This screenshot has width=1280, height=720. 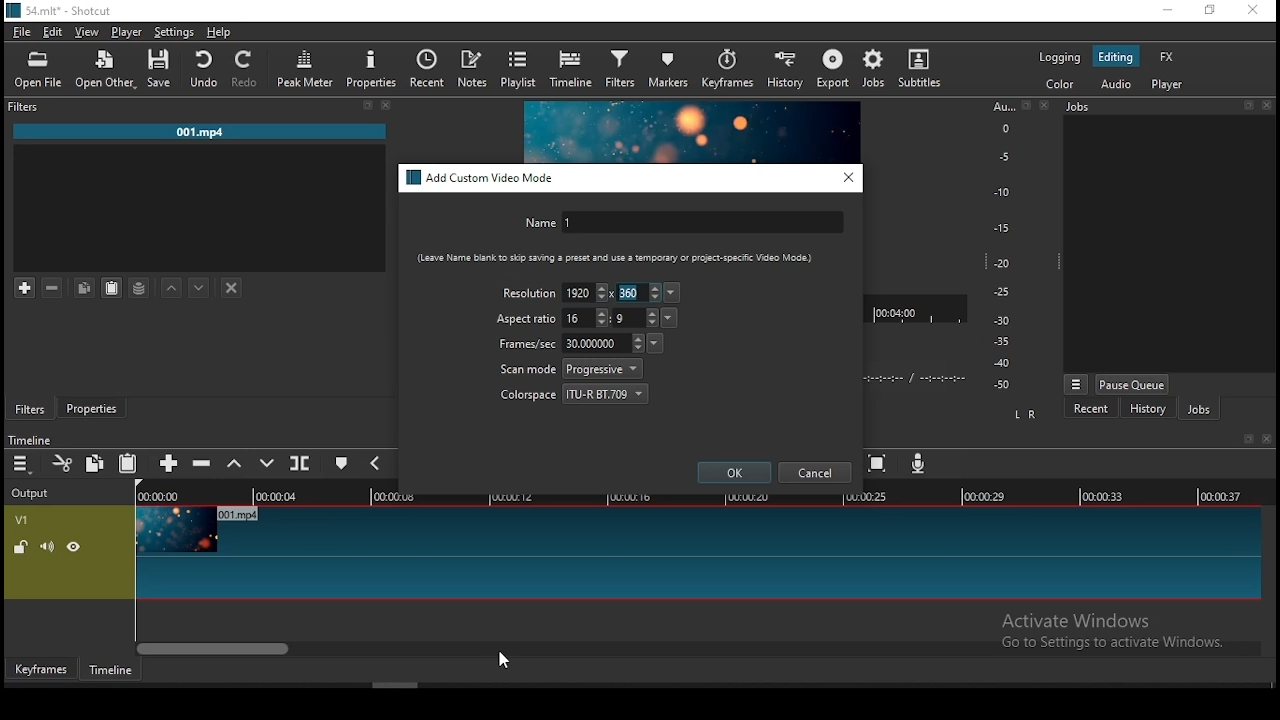 I want to click on {Leave Name blank to 5kip saving a preset and use a temporary Of project-speciic Video Mode), so click(x=607, y=258).